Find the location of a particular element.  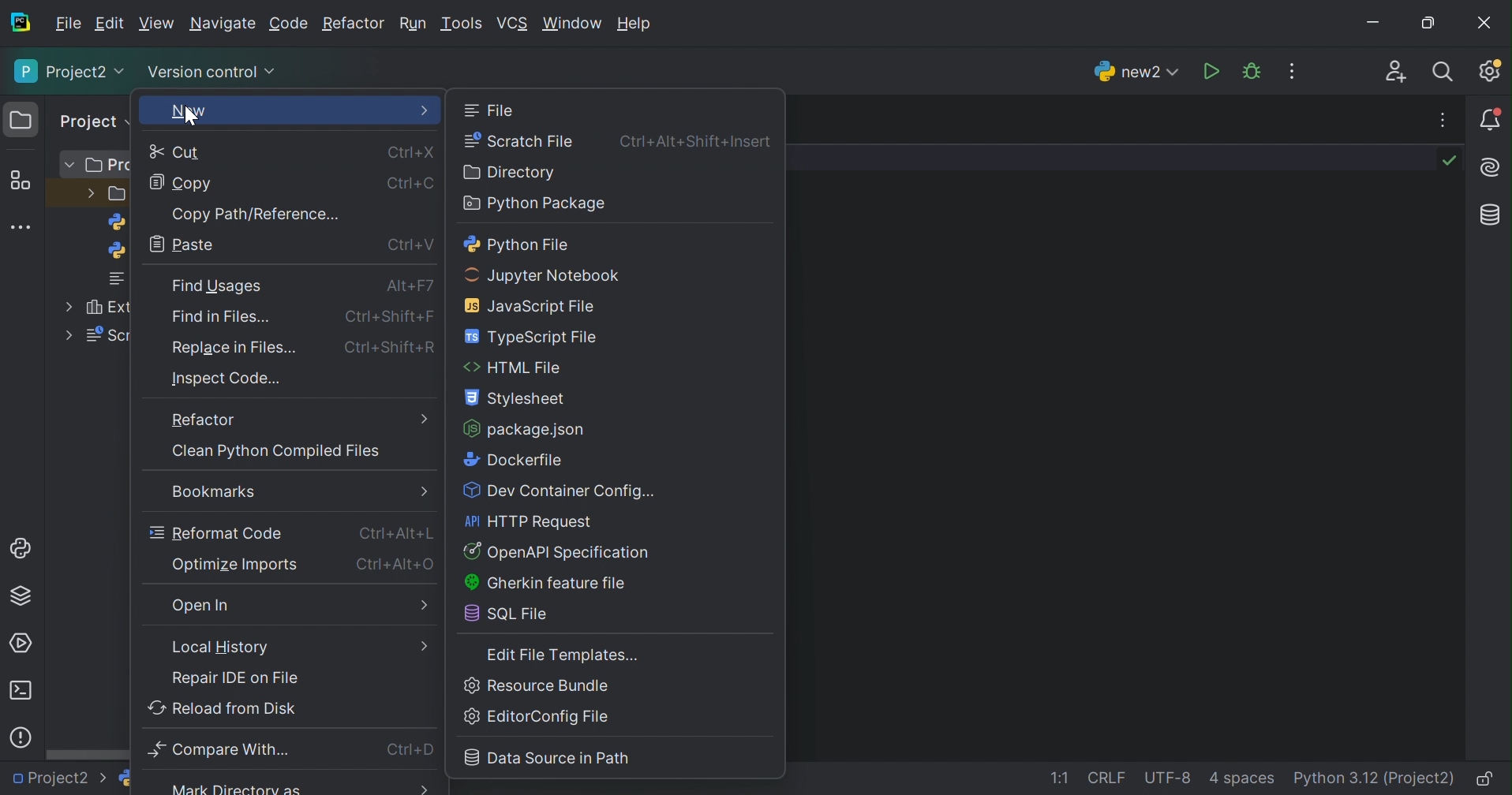

PyCharm icon is located at coordinates (20, 22).